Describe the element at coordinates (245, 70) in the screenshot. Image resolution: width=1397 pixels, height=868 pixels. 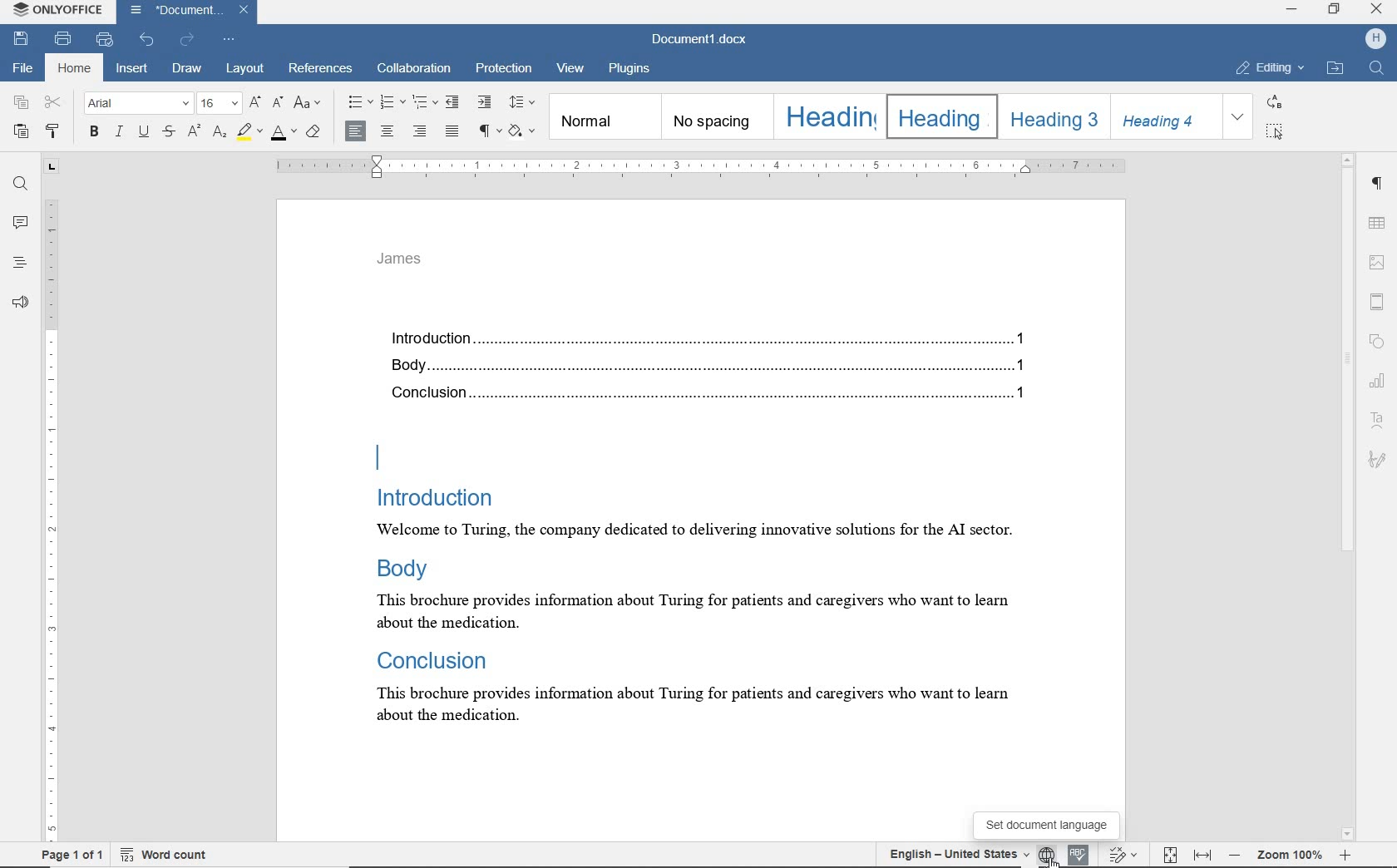
I see `layout` at that location.